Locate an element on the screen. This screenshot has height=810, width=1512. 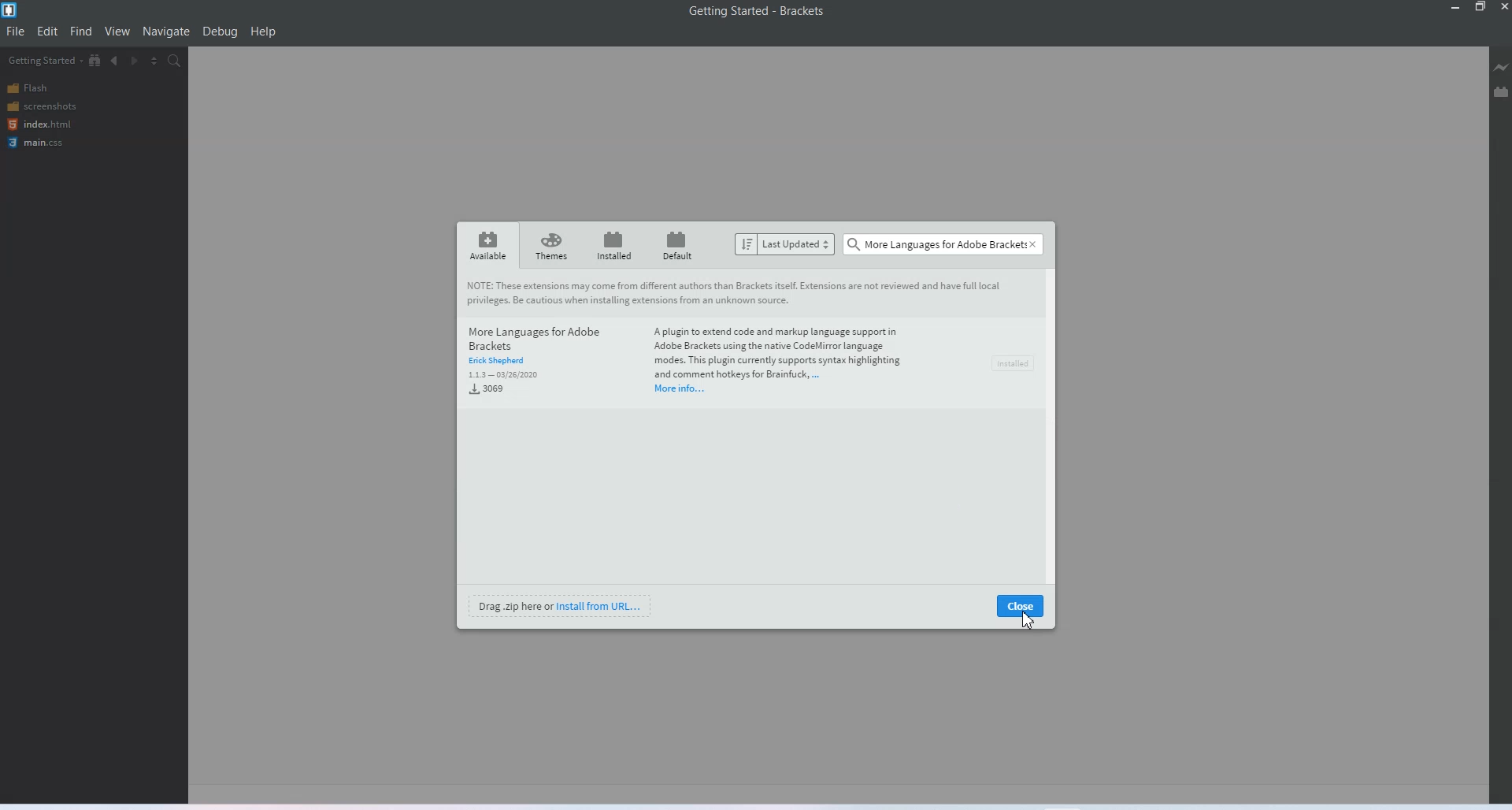
Navigate is located at coordinates (166, 32).